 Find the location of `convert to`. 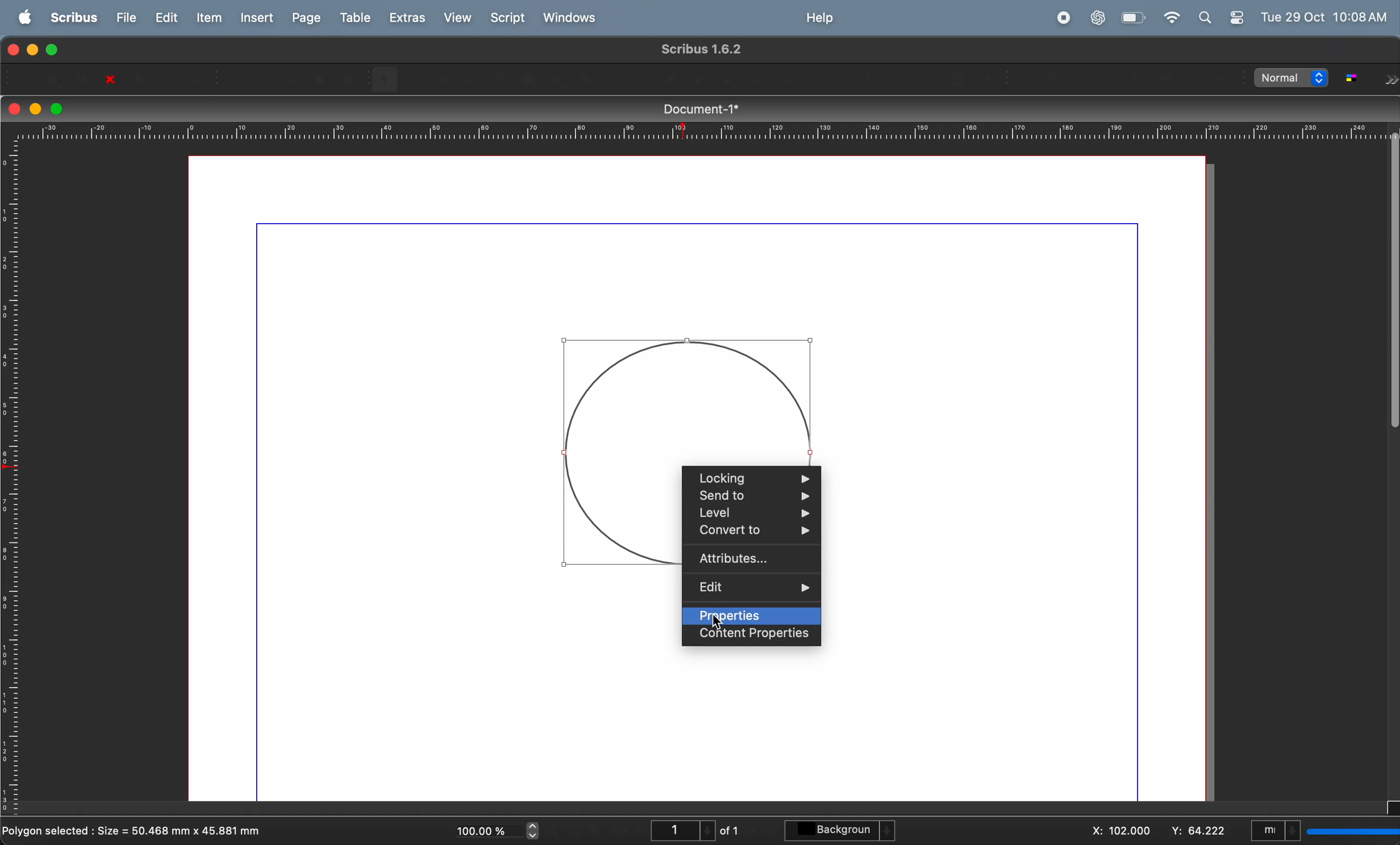

convert to is located at coordinates (749, 530).